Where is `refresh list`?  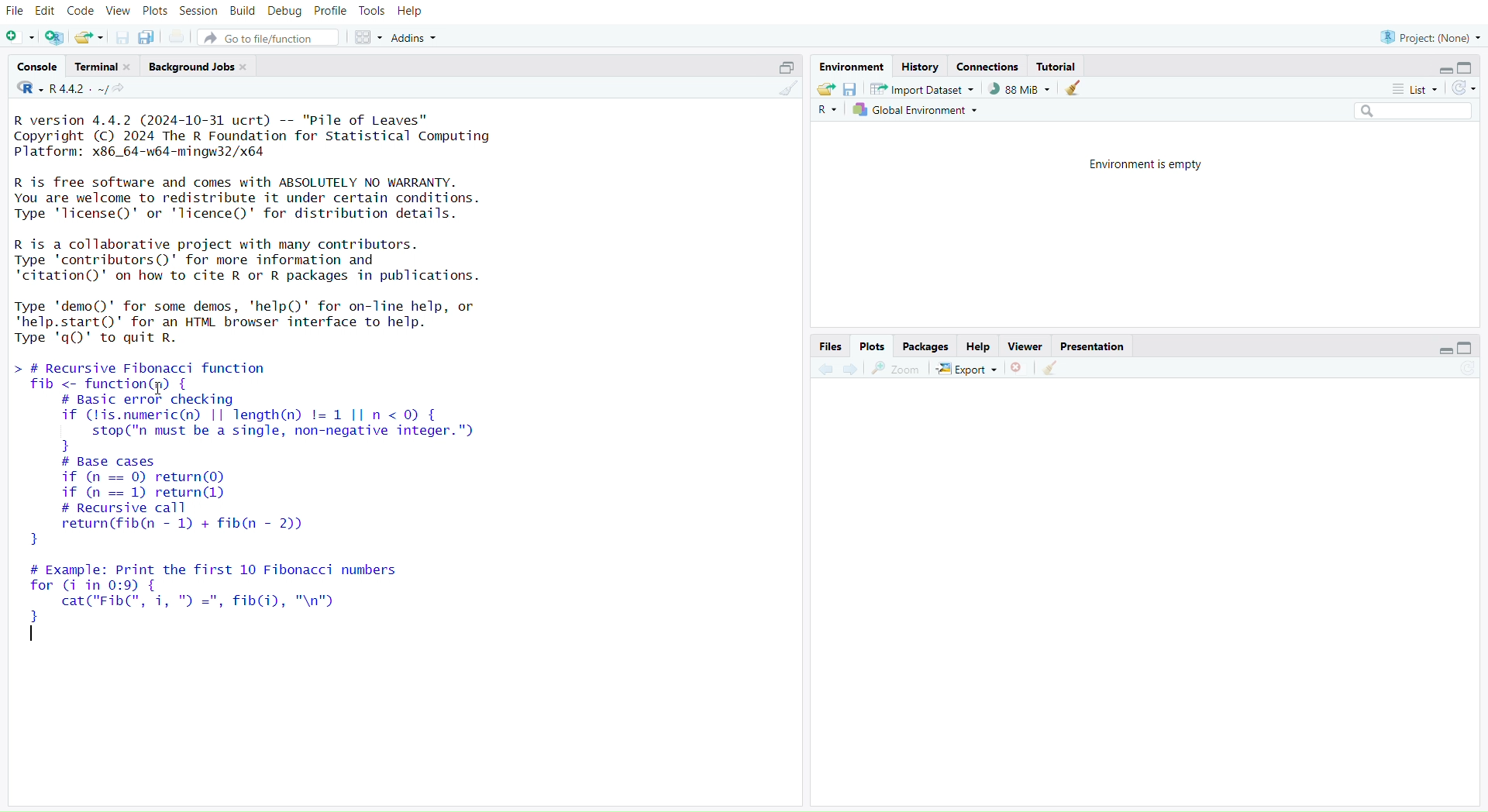 refresh list is located at coordinates (1461, 89).